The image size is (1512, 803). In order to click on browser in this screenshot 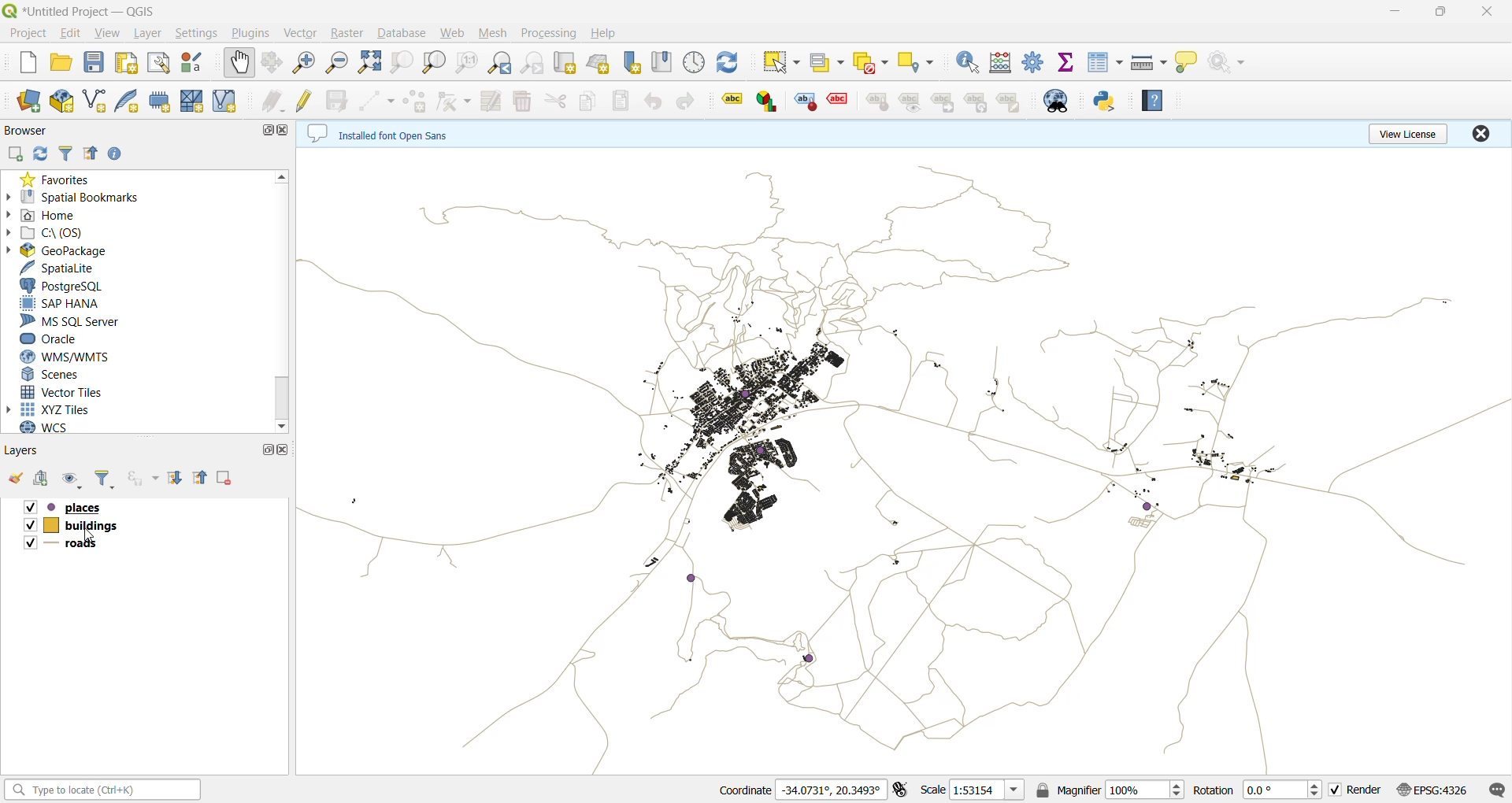, I will do `click(25, 130)`.